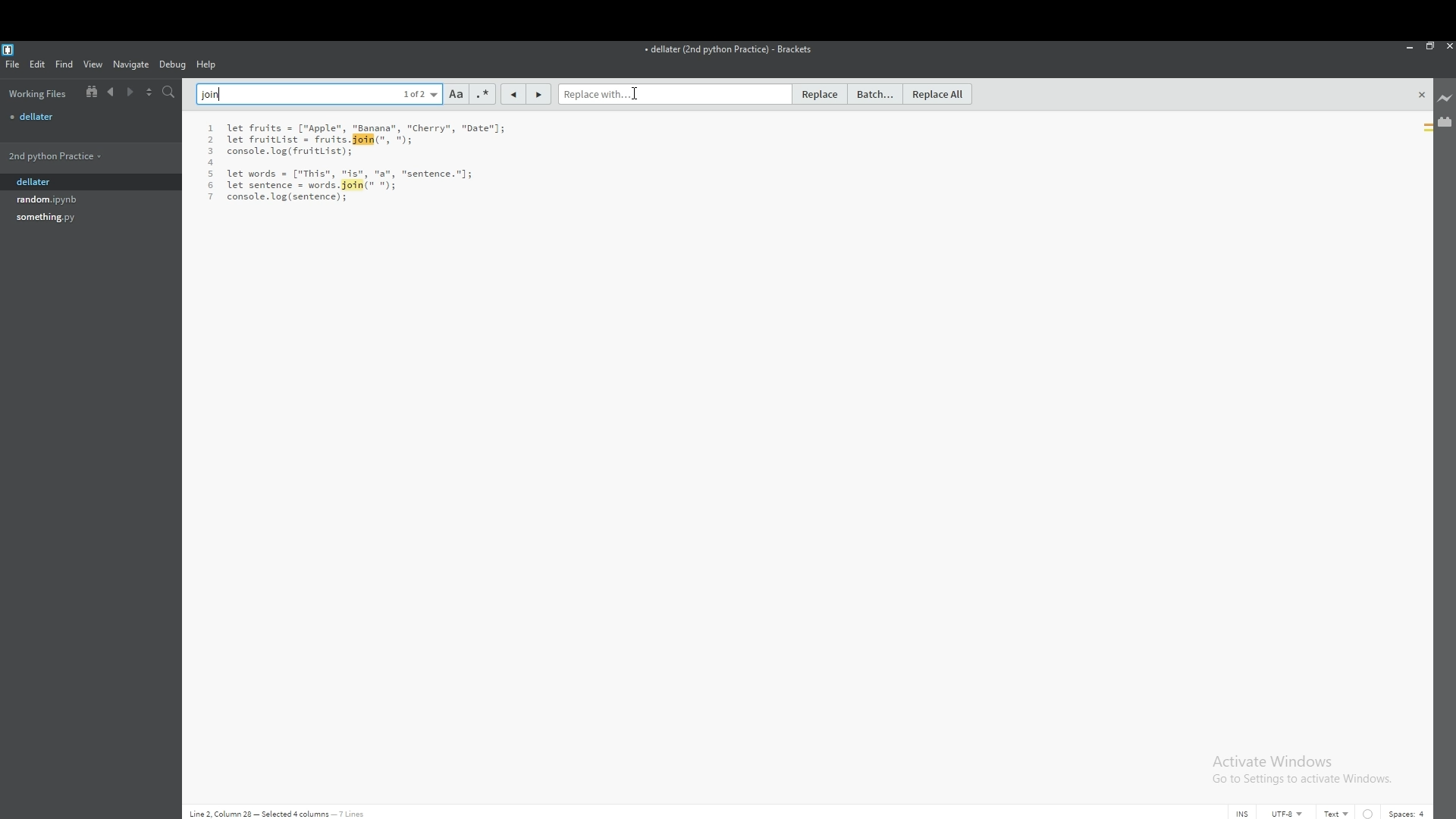 This screenshot has width=1456, height=819. Describe the element at coordinates (93, 64) in the screenshot. I see `view` at that location.